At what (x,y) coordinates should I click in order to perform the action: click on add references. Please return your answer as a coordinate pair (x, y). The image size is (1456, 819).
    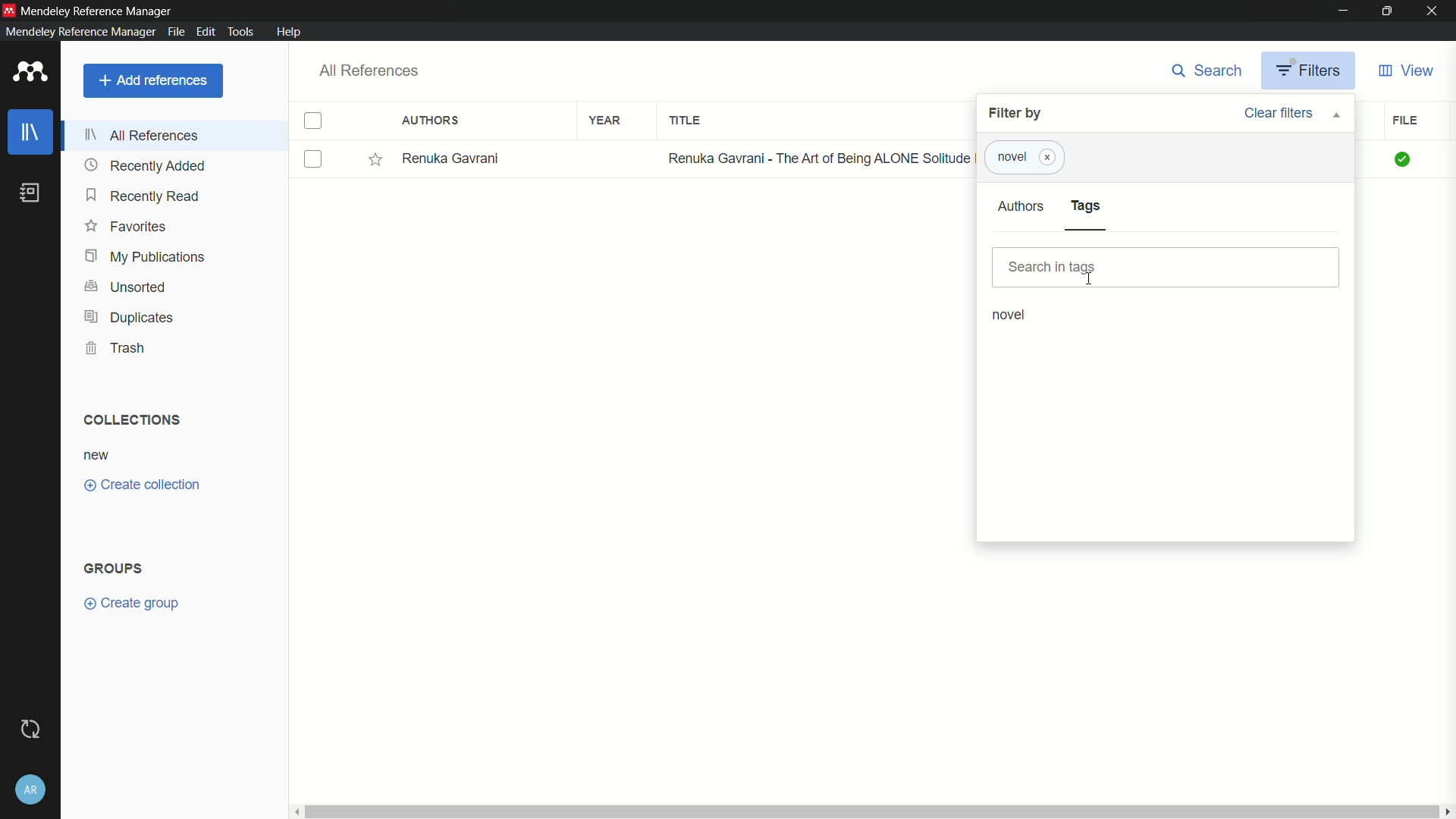
    Looking at the image, I should click on (154, 80).